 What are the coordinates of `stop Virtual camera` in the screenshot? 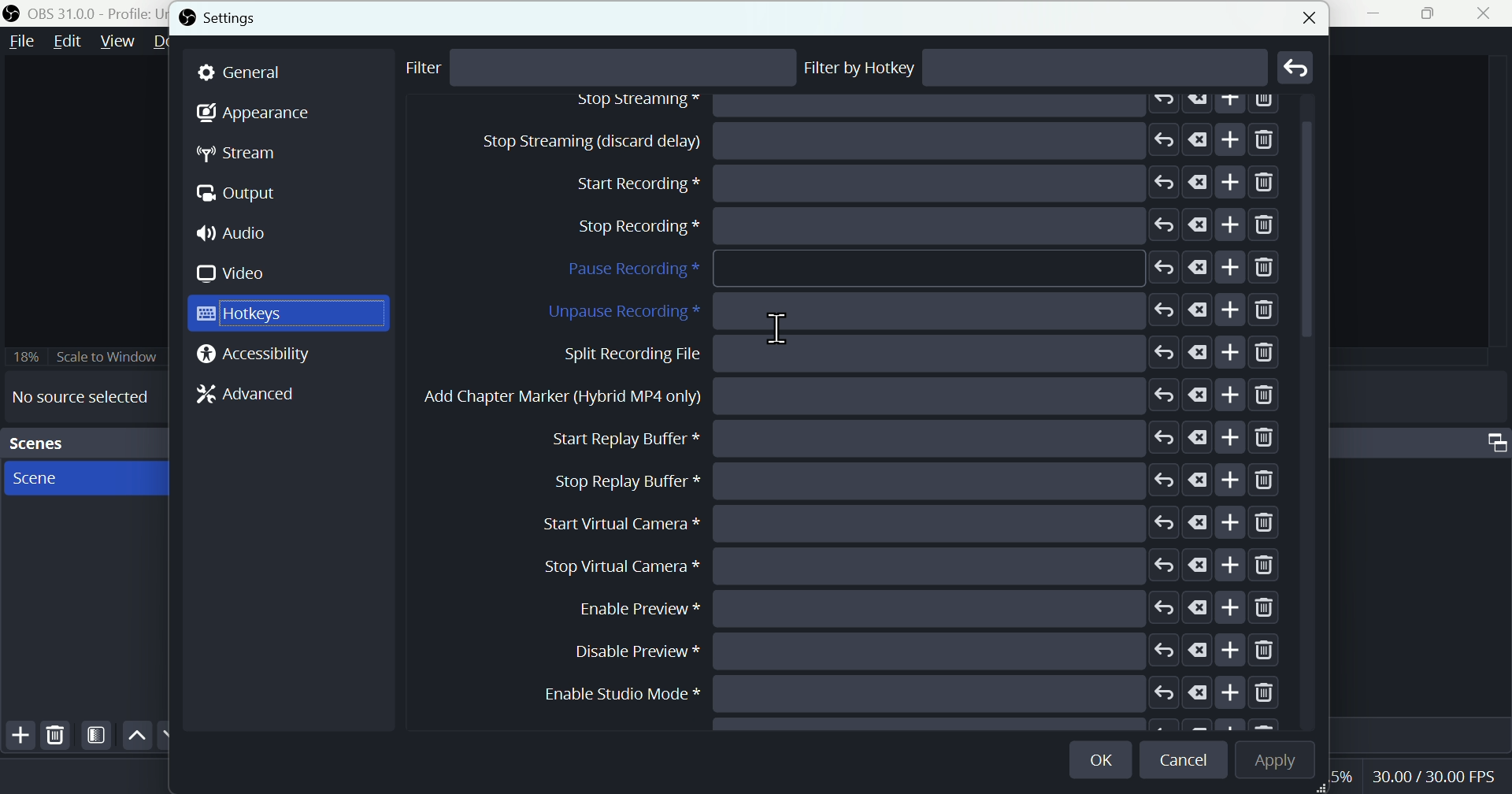 It's located at (905, 565).